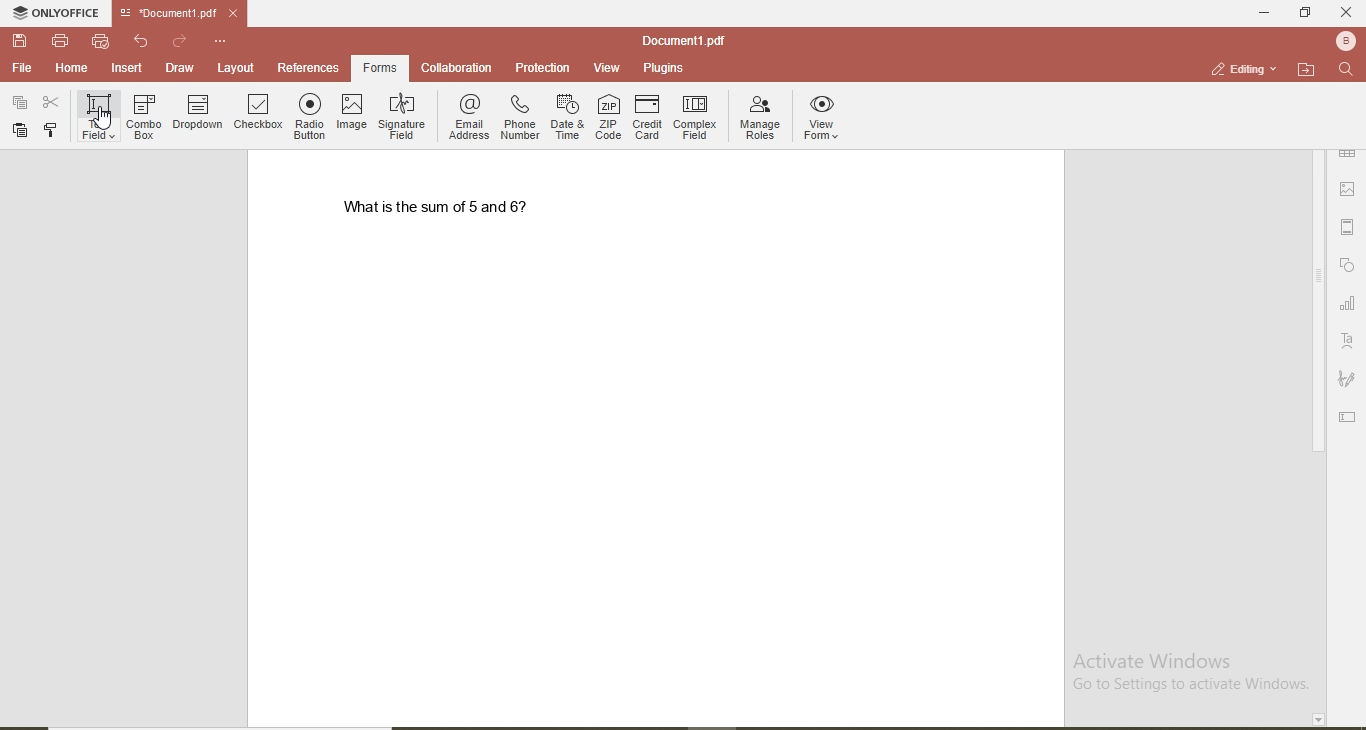  I want to click on redo, so click(178, 37).